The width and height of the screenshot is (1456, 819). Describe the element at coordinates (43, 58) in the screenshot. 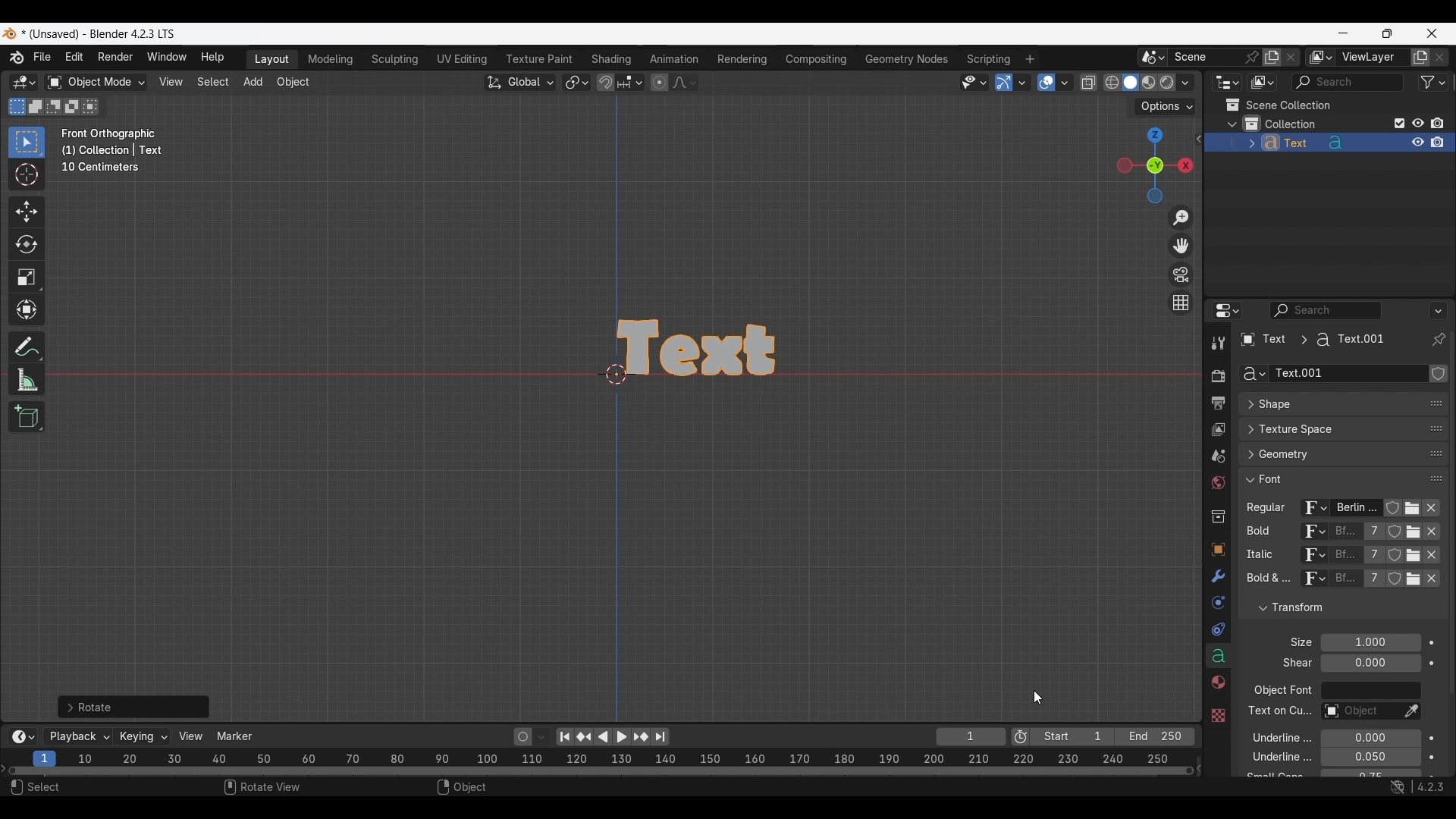

I see `File menu` at that location.